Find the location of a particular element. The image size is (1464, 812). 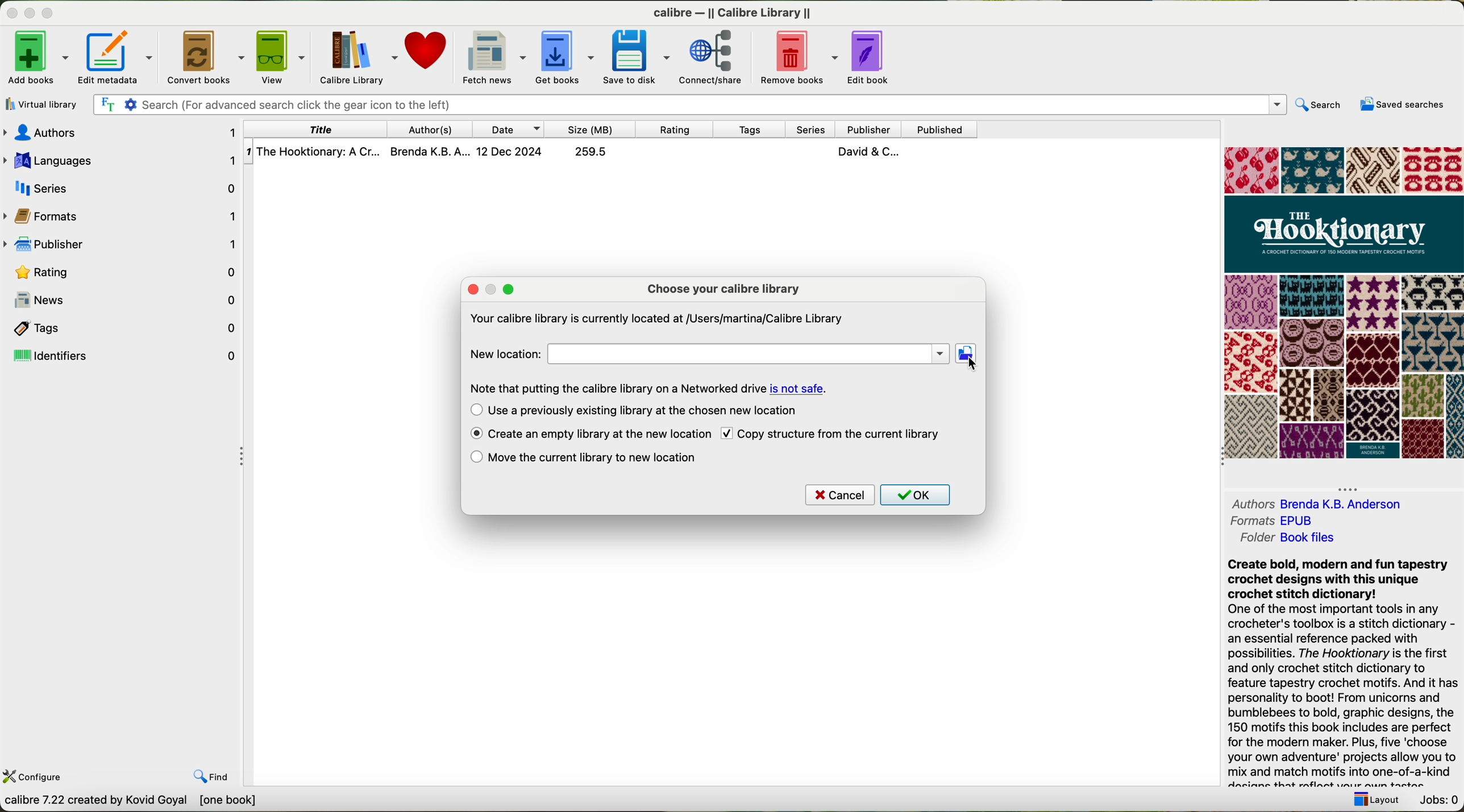

find is located at coordinates (210, 776).